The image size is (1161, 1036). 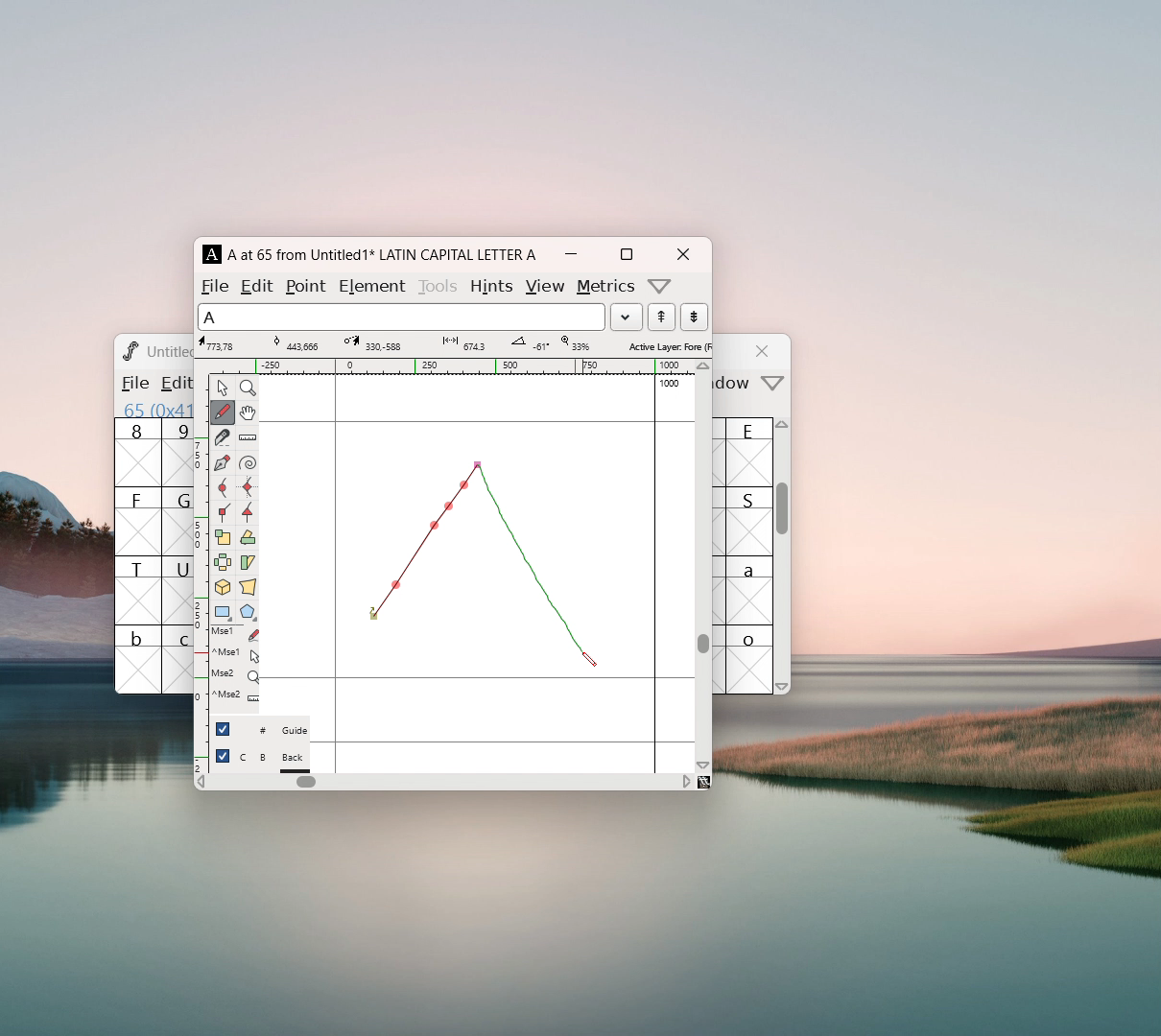 I want to click on coordinates of cursor destination, so click(x=370, y=343).